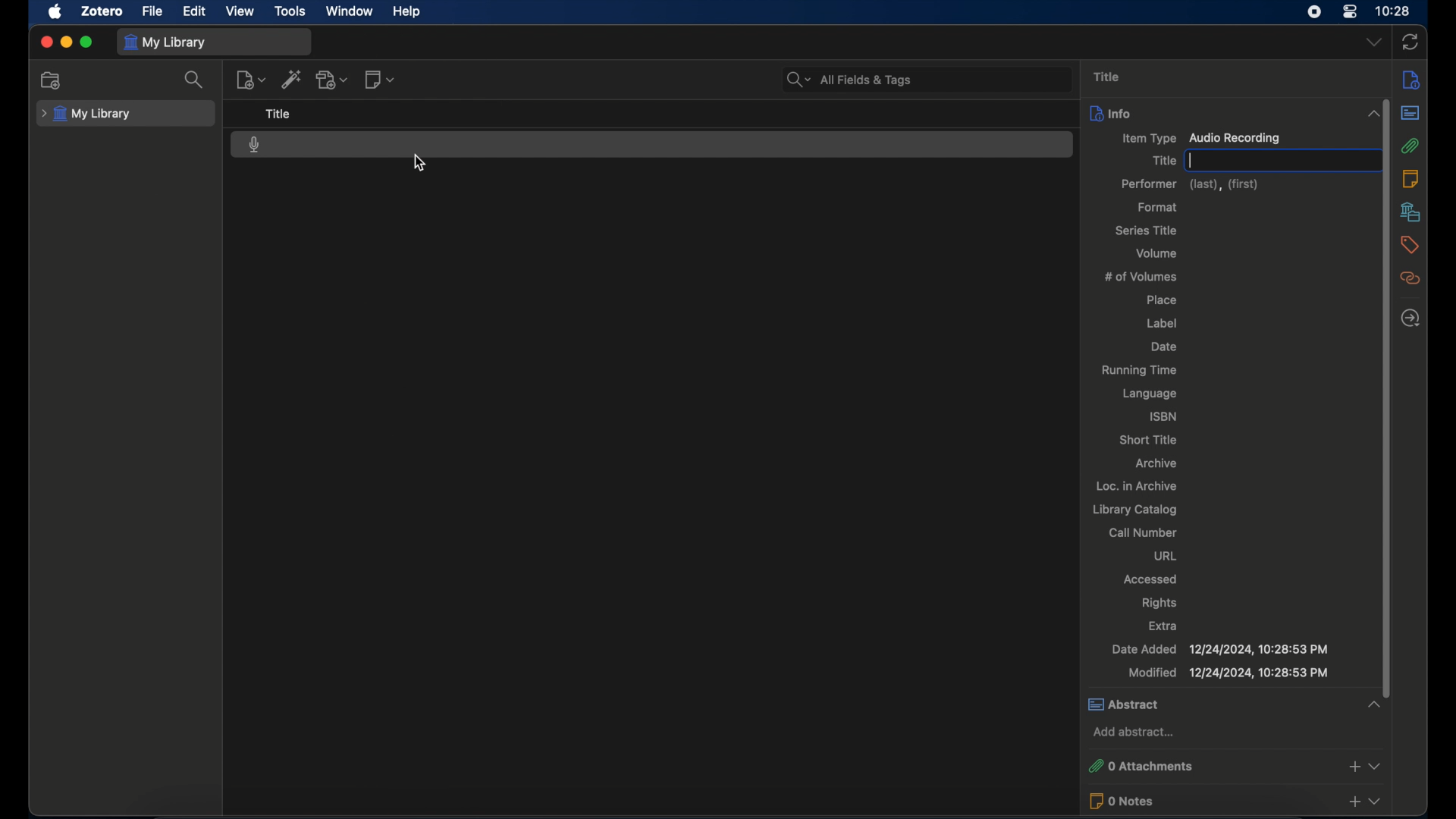  I want to click on series title, so click(1147, 231).